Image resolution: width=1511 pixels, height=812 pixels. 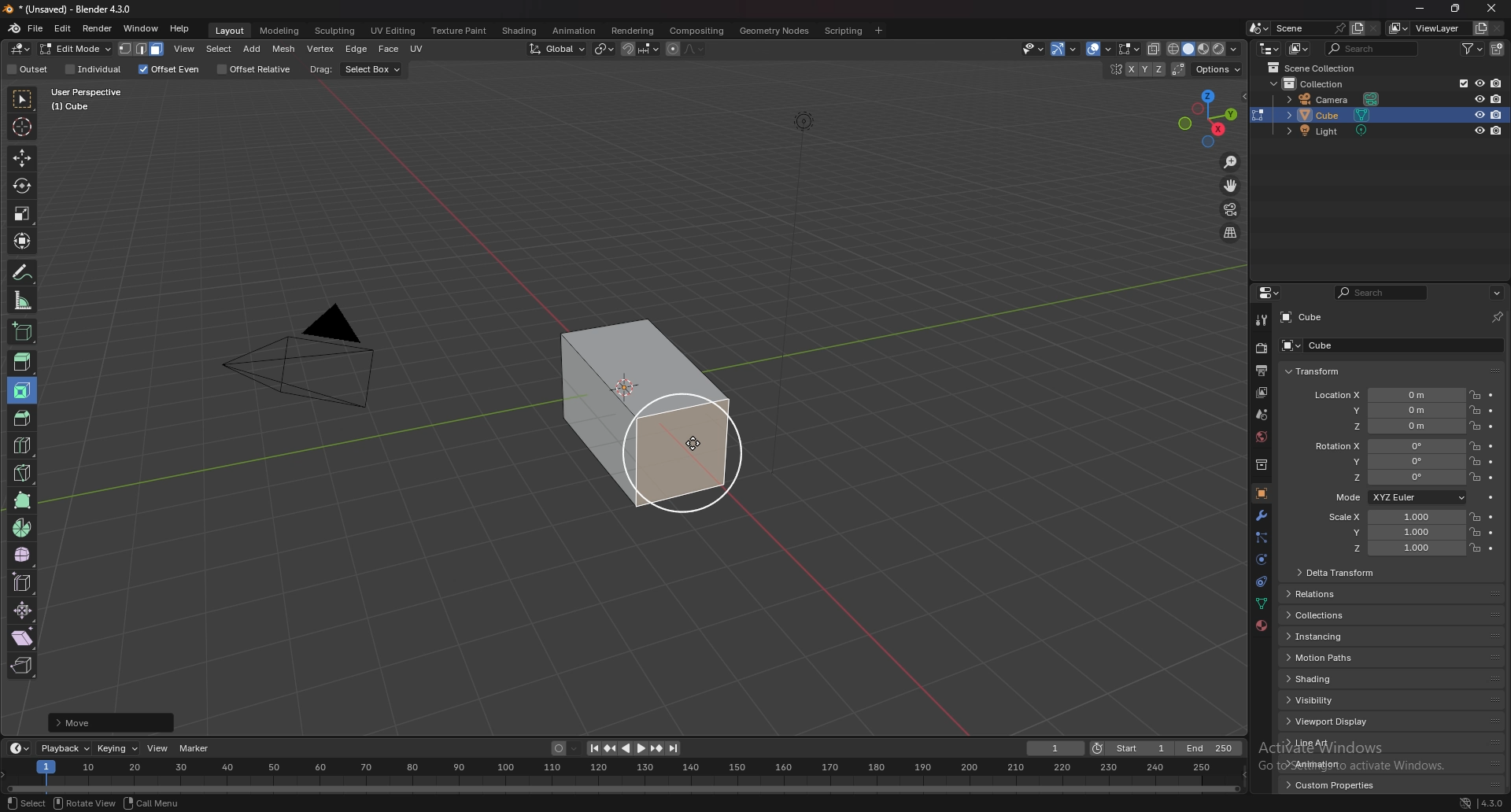 What do you see at coordinates (610, 749) in the screenshot?
I see `jump to keyframe` at bounding box center [610, 749].